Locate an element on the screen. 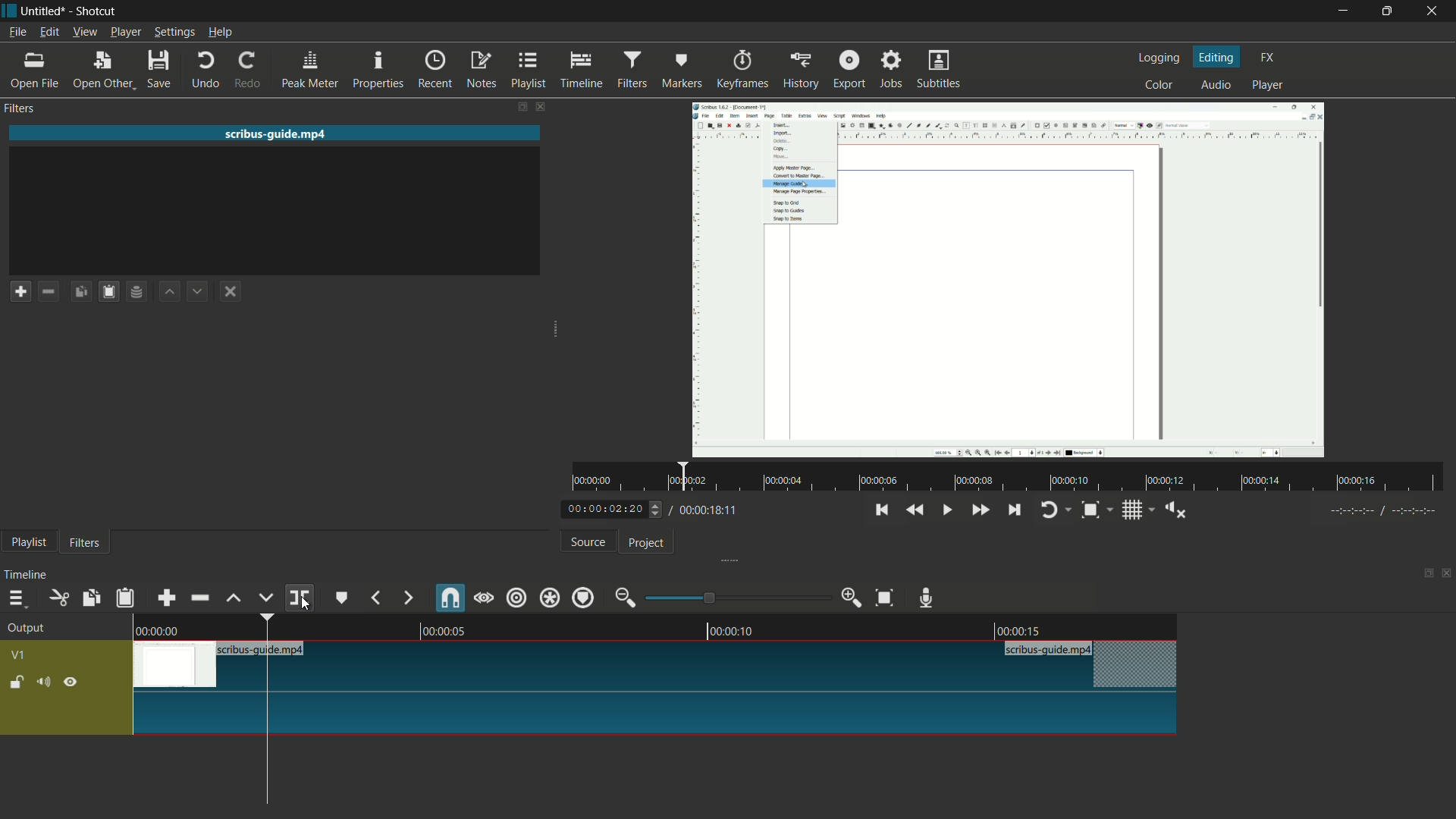 This screenshot has width=1456, height=819. edit menu is located at coordinates (49, 32).